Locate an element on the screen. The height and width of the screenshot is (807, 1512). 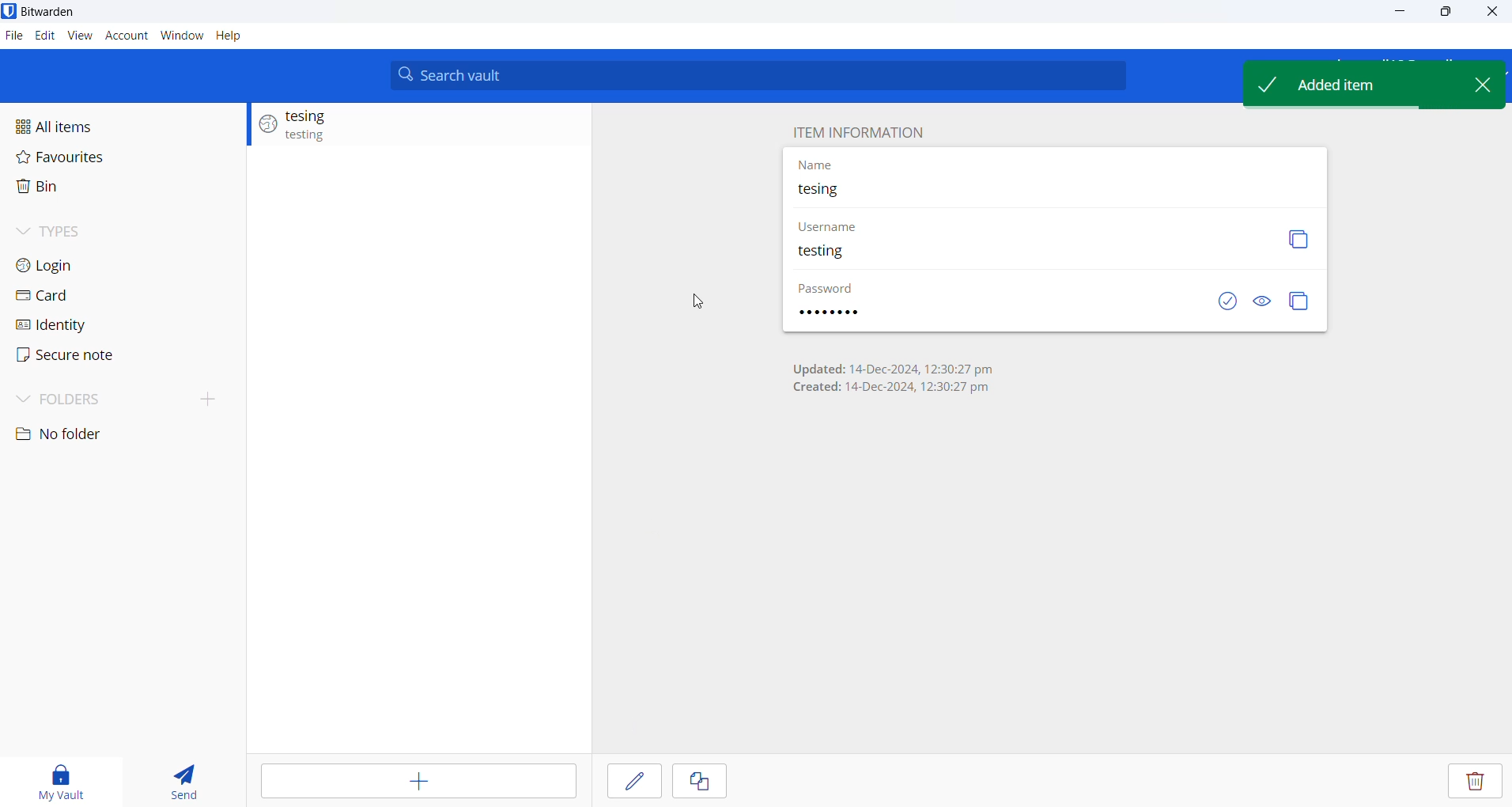
USERNAME is located at coordinates (827, 230).